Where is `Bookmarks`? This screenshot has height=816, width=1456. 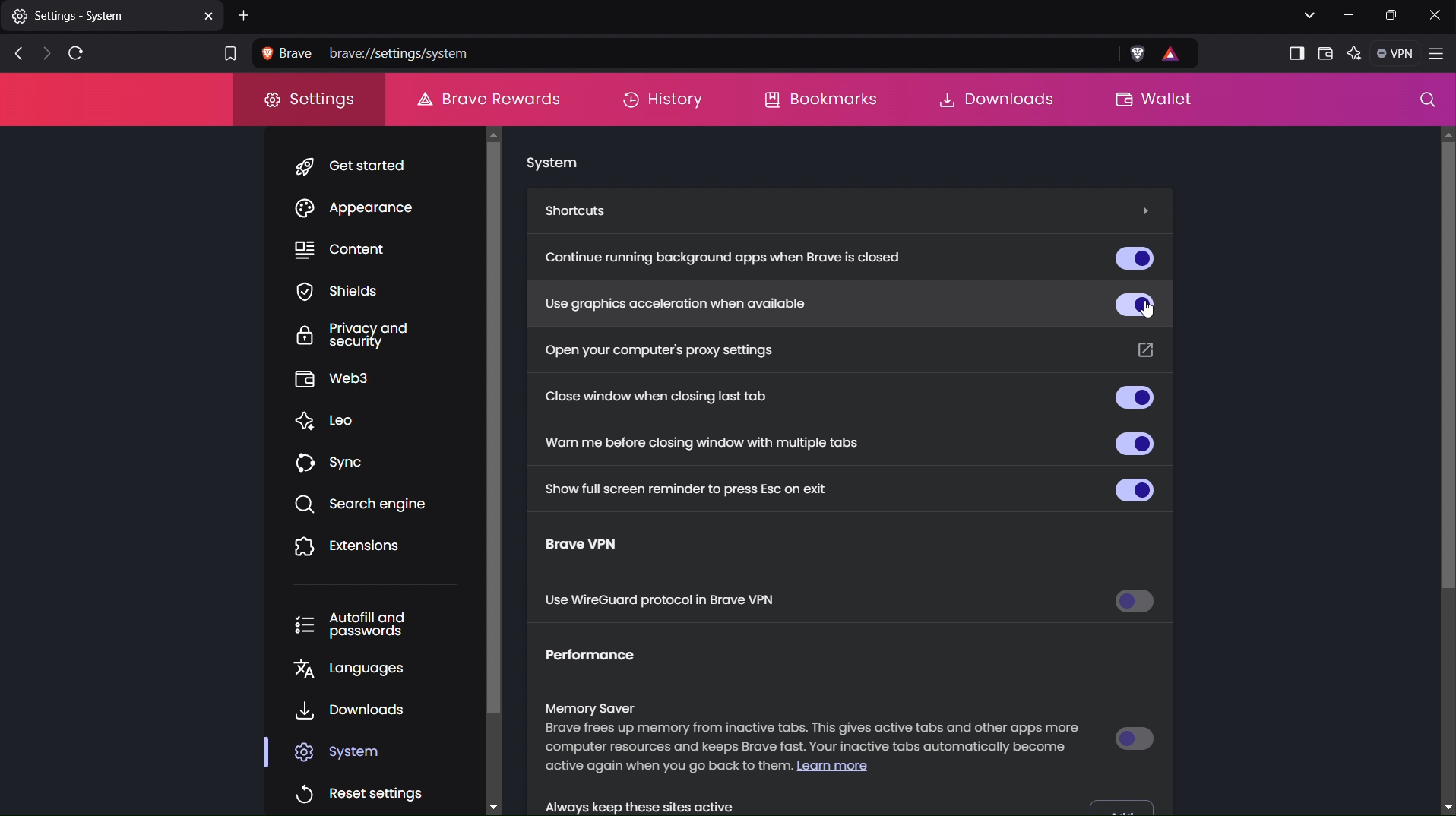 Bookmarks is located at coordinates (819, 100).